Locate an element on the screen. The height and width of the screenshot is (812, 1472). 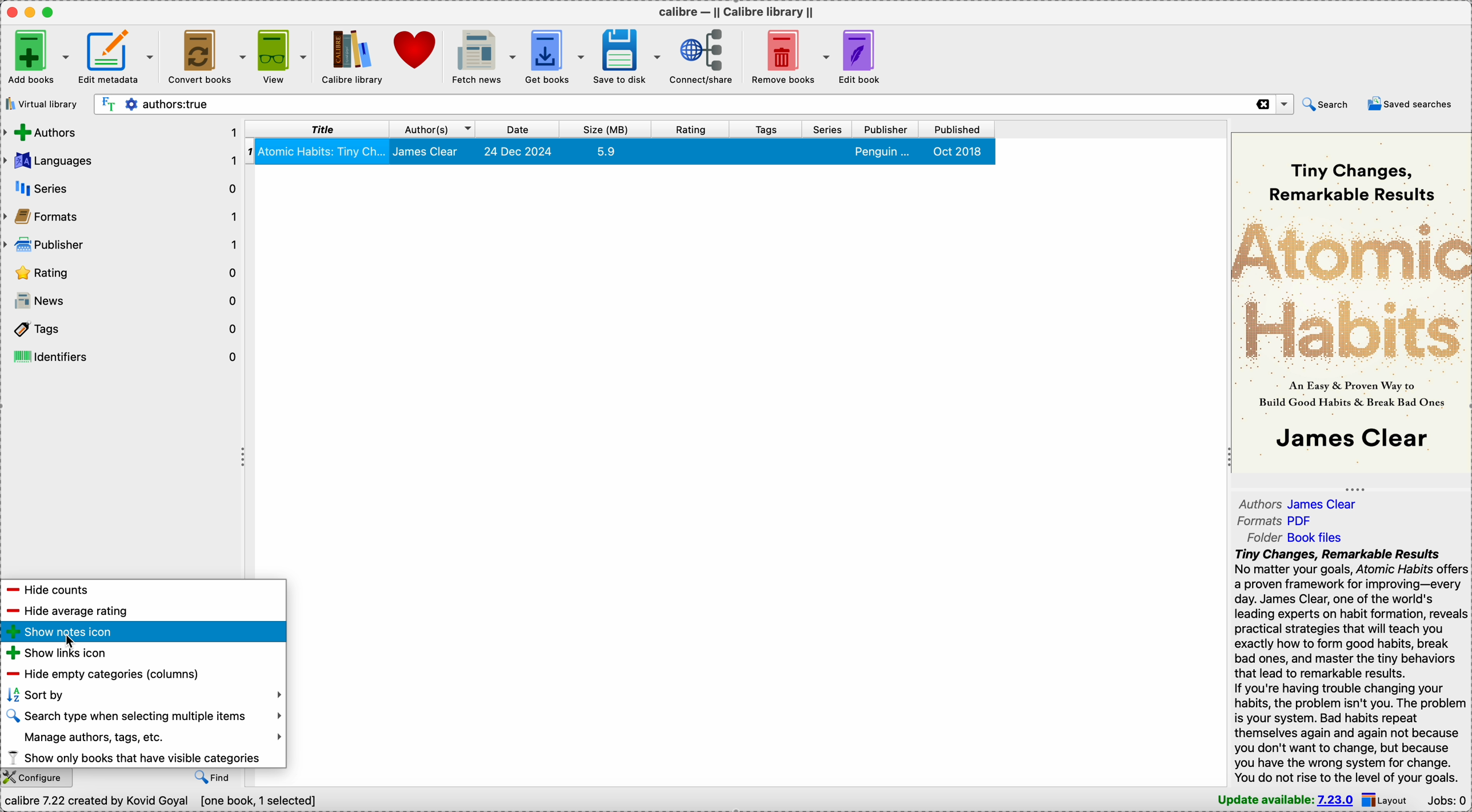
languages is located at coordinates (122, 161).